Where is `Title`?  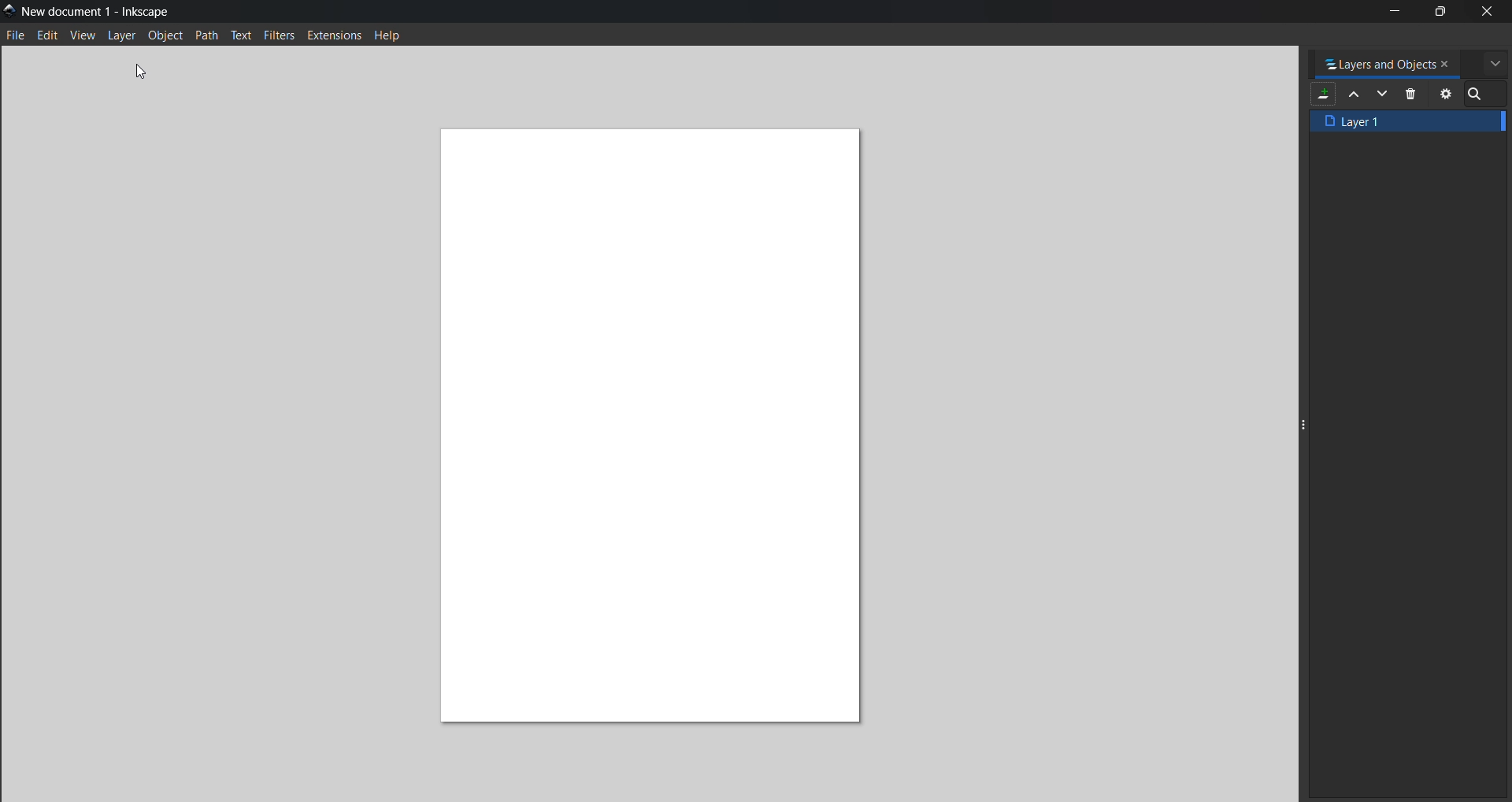 Title is located at coordinates (101, 11).